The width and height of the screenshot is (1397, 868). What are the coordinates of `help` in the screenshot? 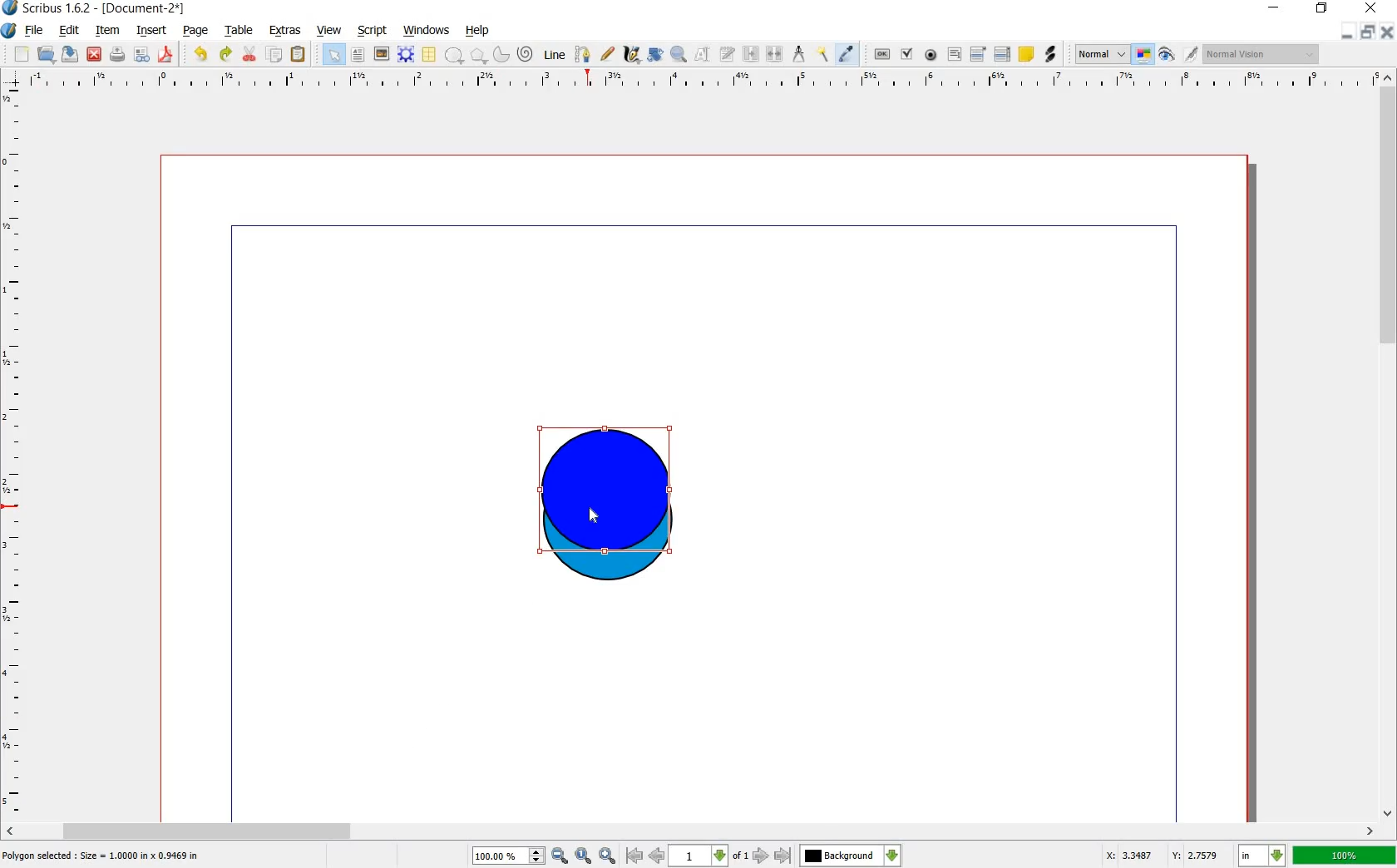 It's located at (477, 31).